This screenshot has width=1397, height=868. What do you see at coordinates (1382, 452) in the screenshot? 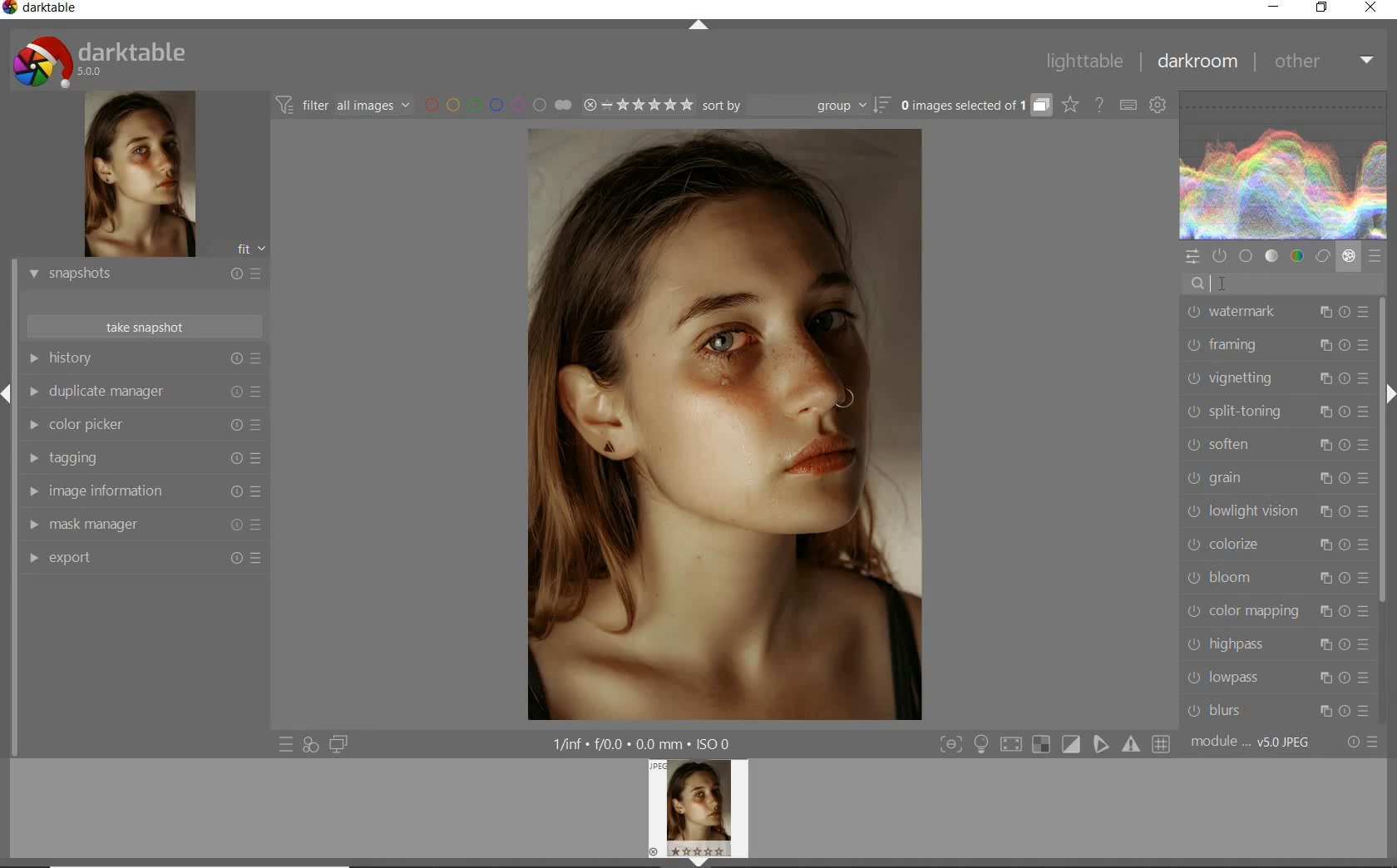
I see `scrollbar` at bounding box center [1382, 452].